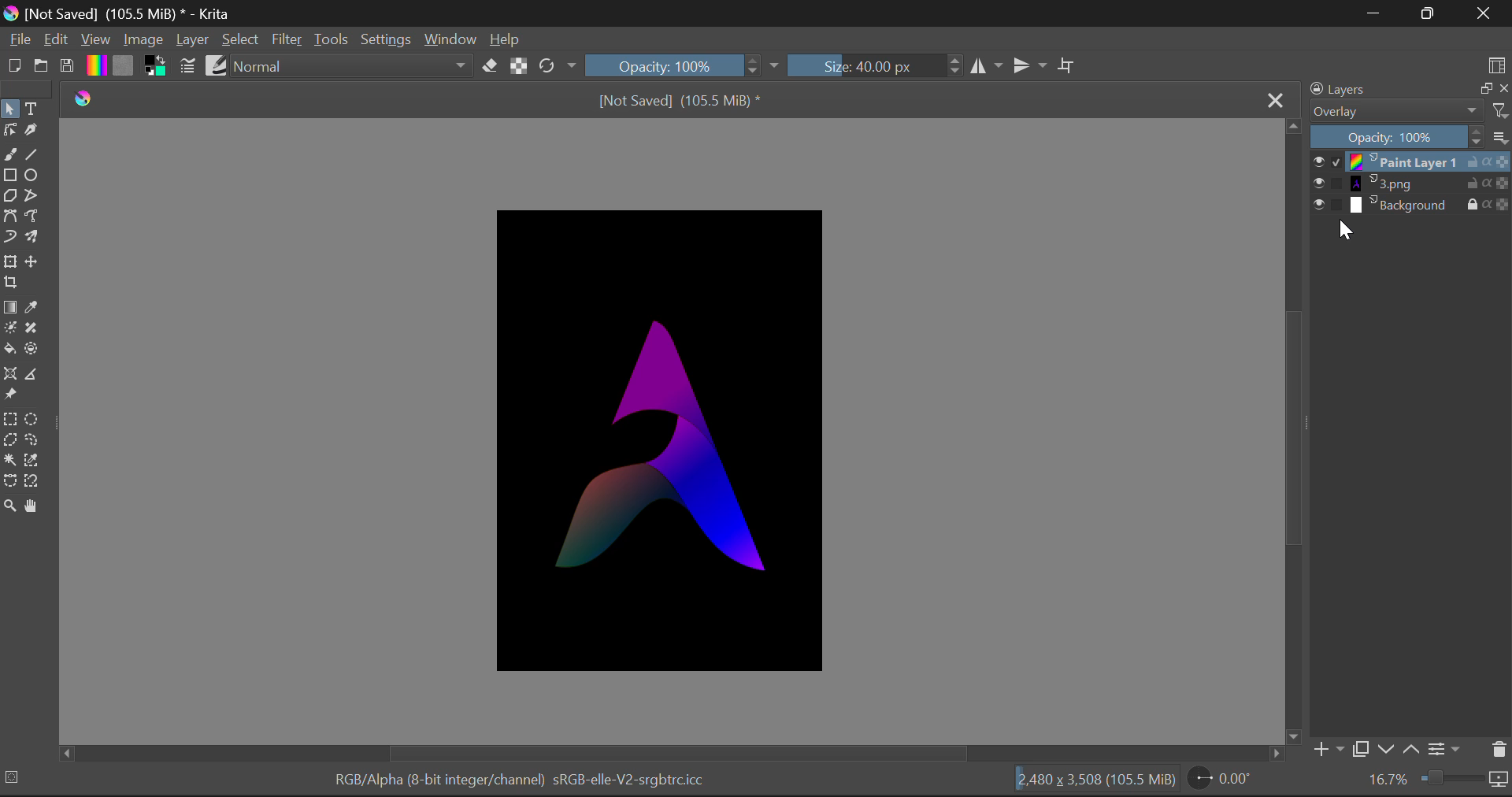 This screenshot has width=1512, height=797. I want to click on Crop, so click(13, 283).